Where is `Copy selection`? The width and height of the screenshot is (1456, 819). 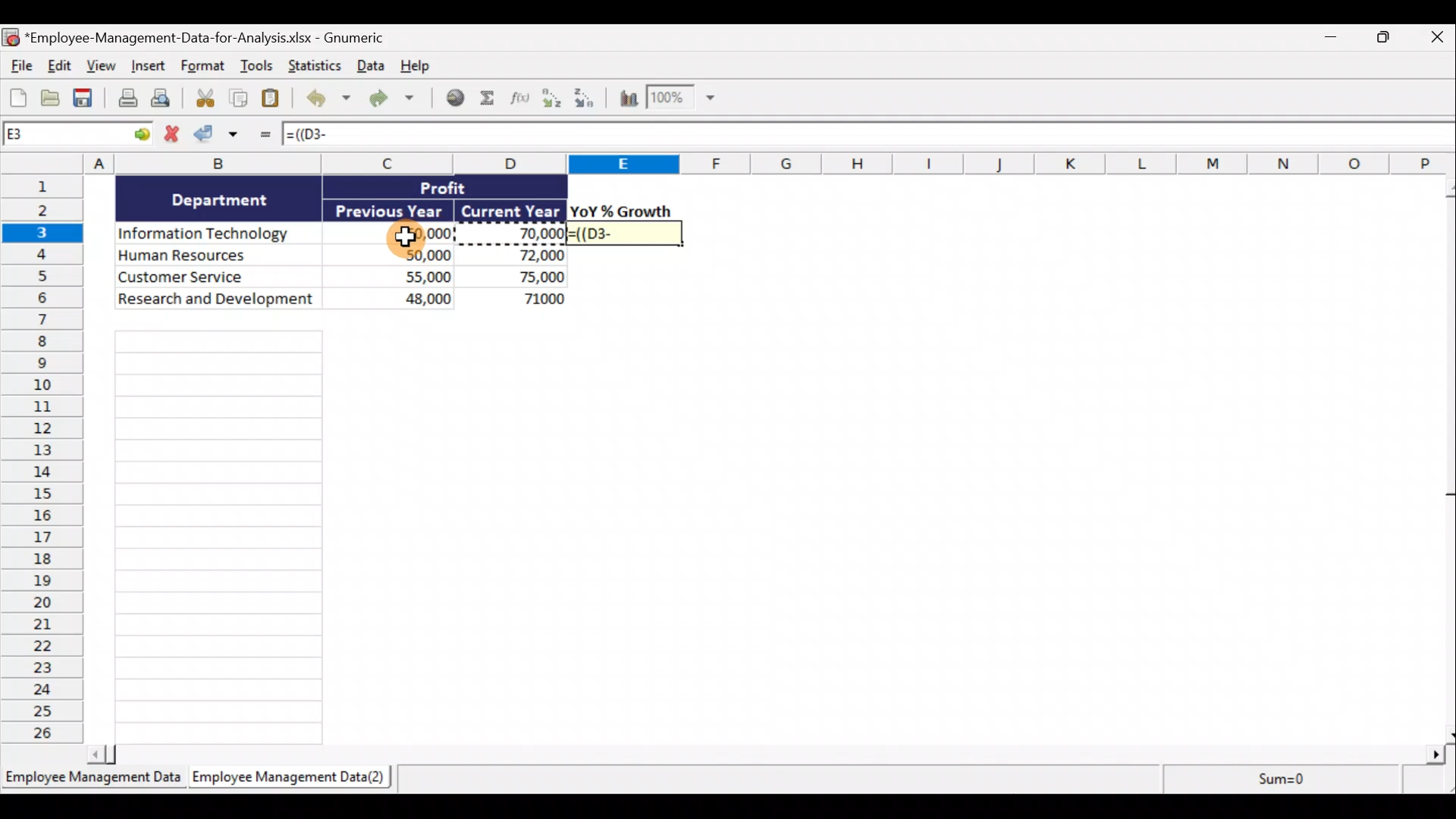 Copy selection is located at coordinates (239, 99).